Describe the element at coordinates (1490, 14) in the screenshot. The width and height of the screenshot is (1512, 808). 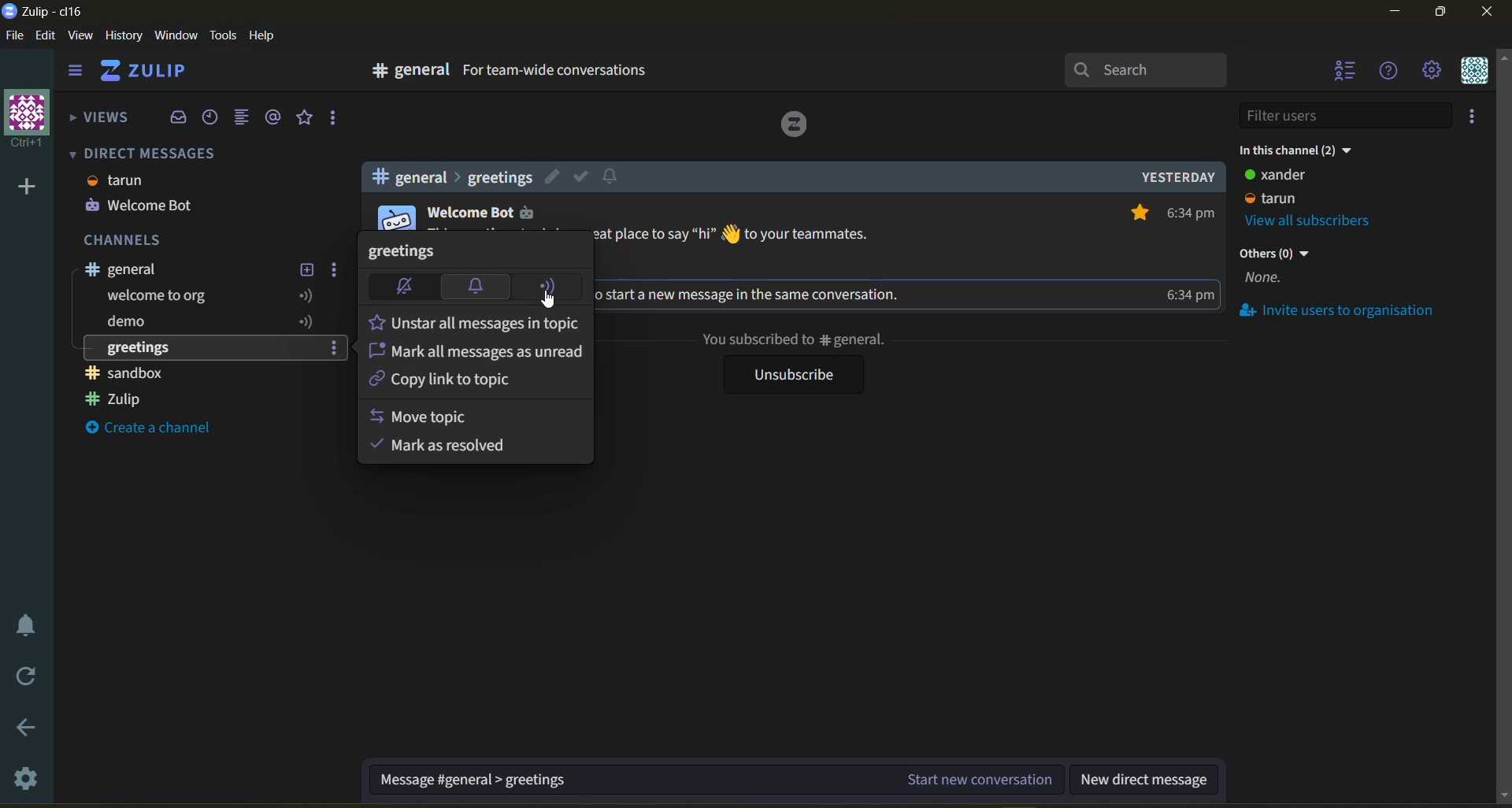
I see `close` at that location.